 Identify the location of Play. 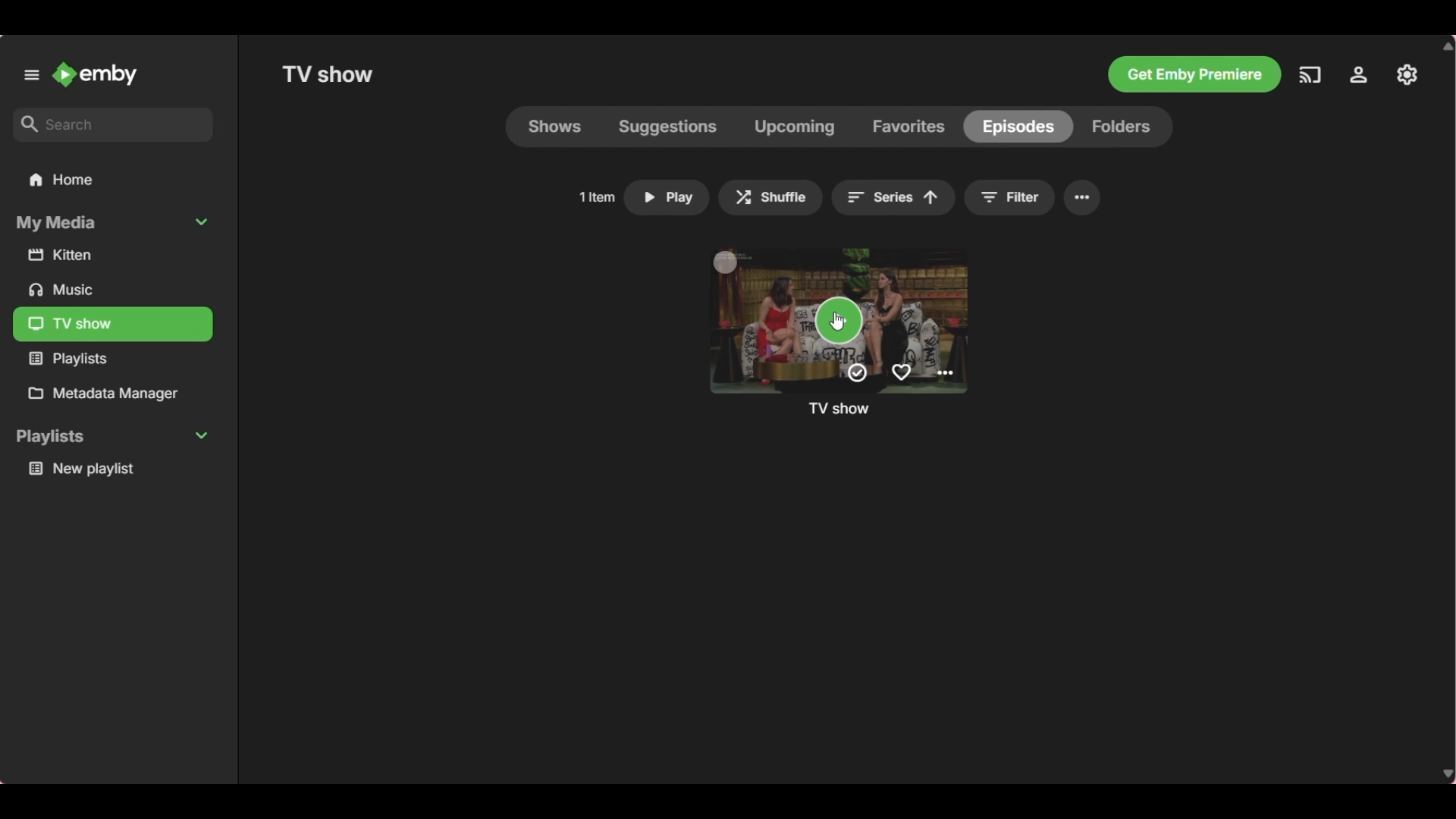
(666, 199).